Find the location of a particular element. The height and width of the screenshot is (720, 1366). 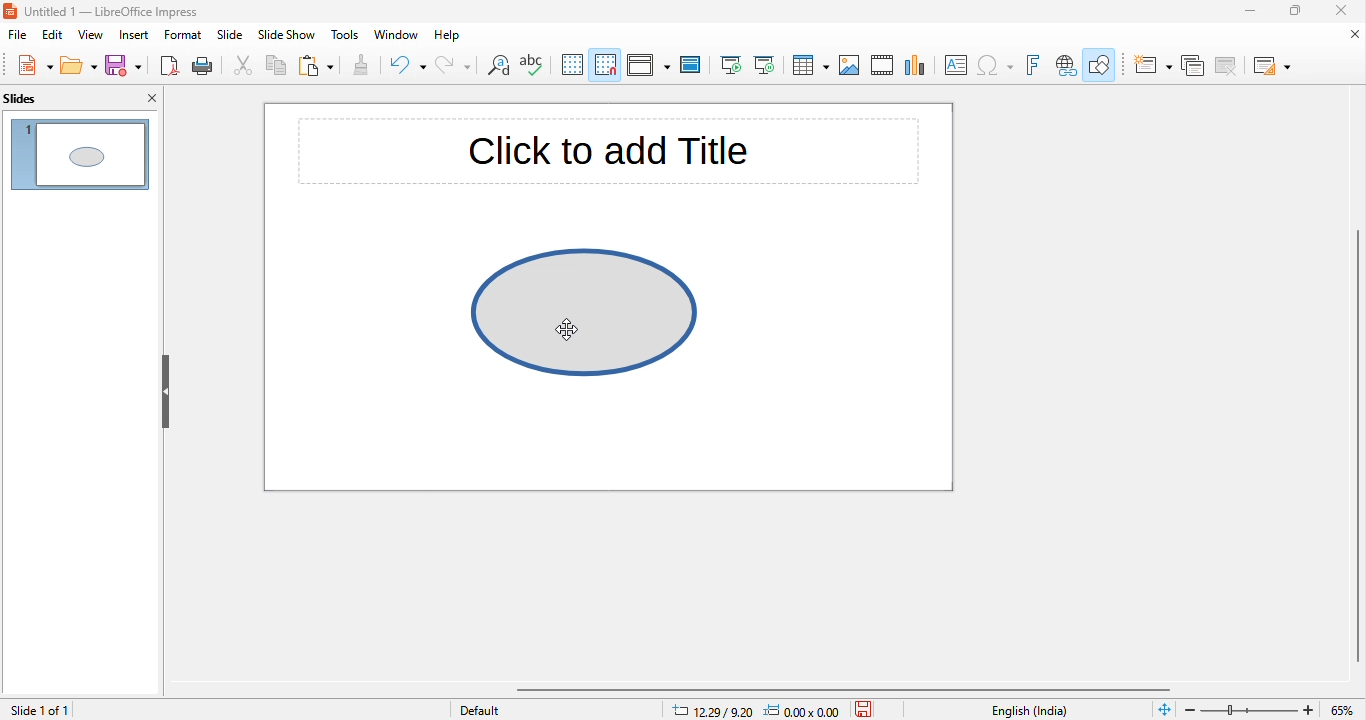

slide layout is located at coordinates (1269, 64).